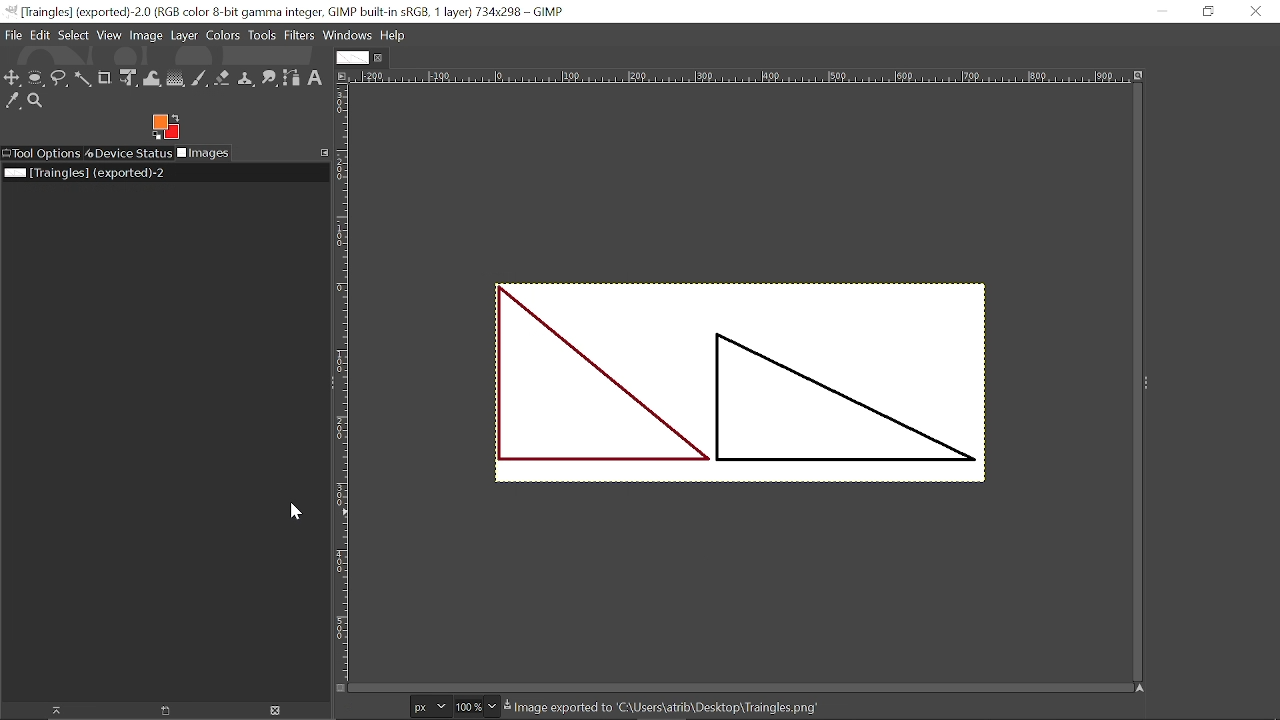 Image resolution: width=1280 pixels, height=720 pixels. Describe the element at coordinates (10, 101) in the screenshot. I see `Color picker tool` at that location.